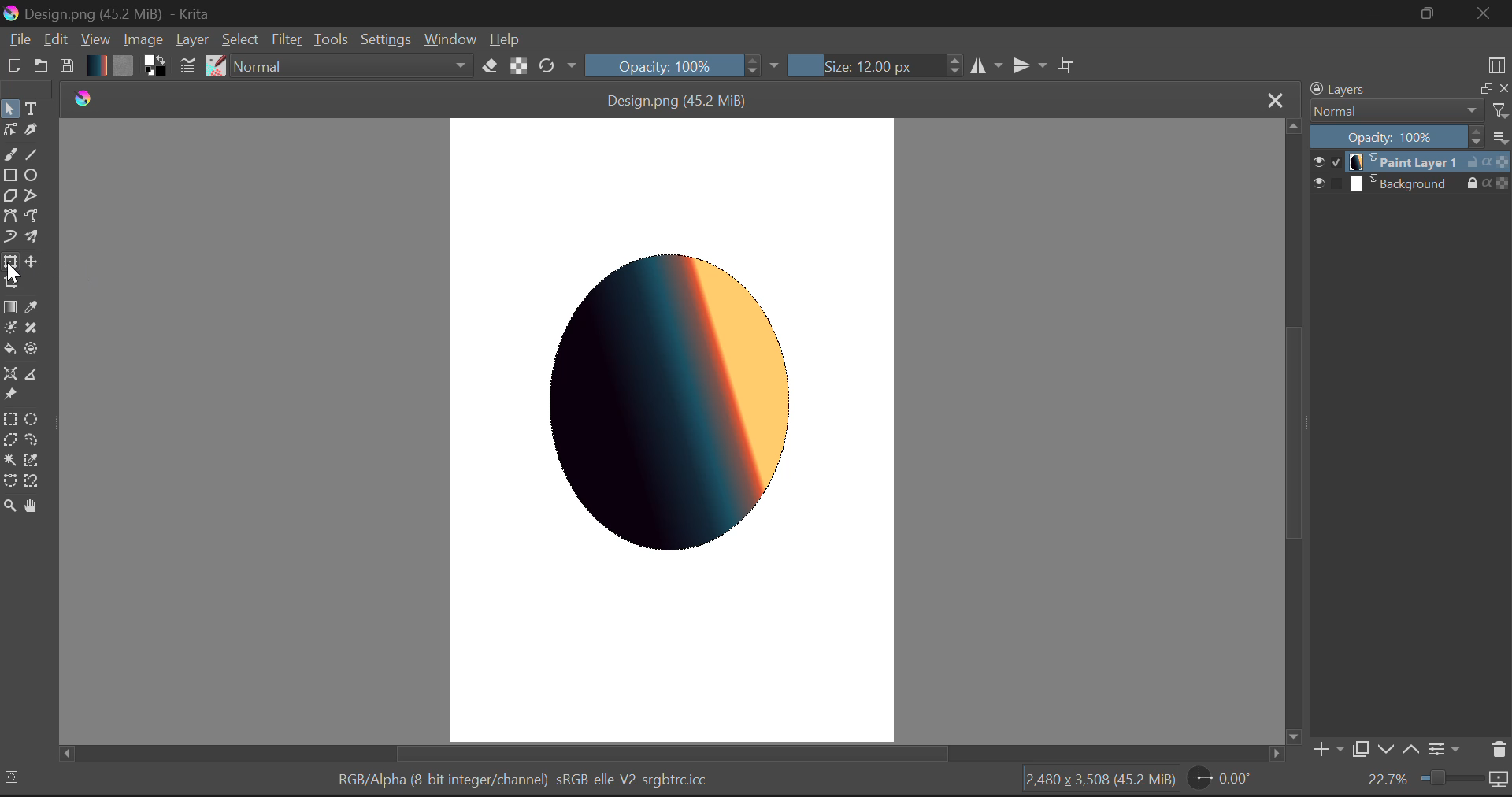  What do you see at coordinates (30, 440) in the screenshot?
I see `Freehand Selection` at bounding box center [30, 440].